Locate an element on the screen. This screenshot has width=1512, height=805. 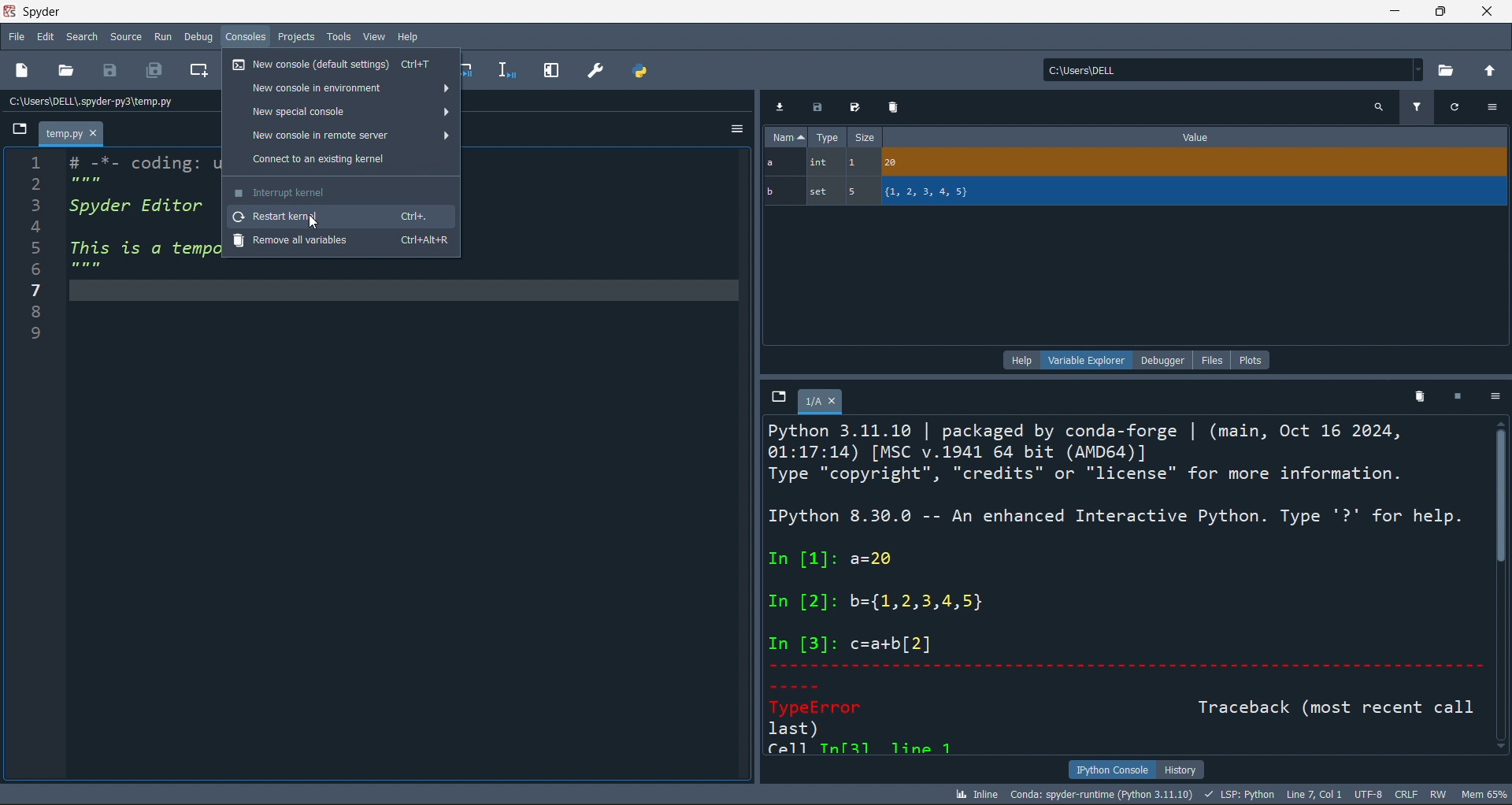
value is located at coordinates (1203, 138).